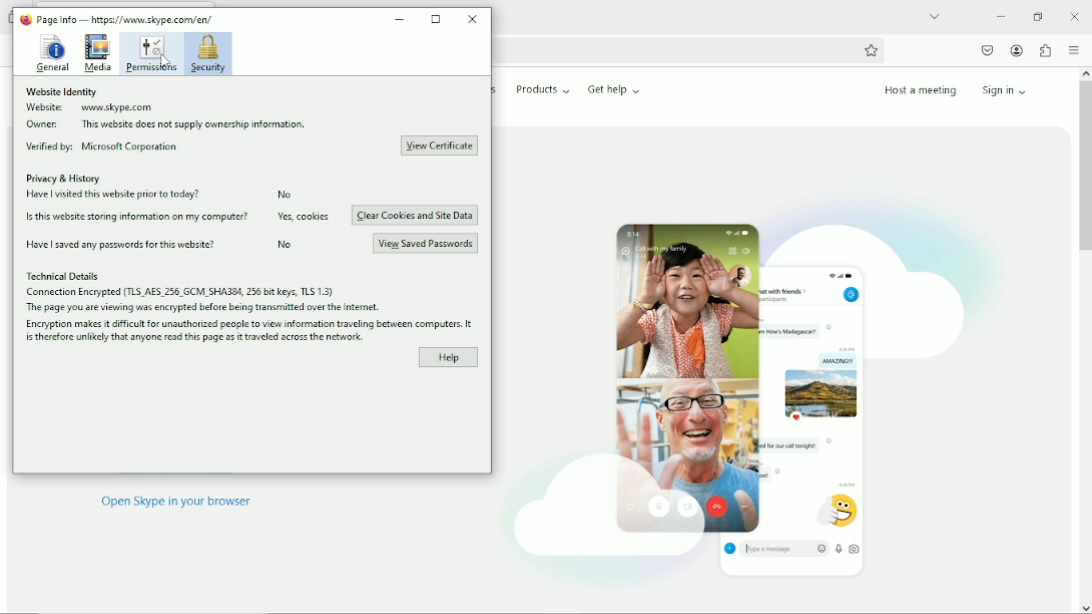 This screenshot has width=1092, height=614. What do you see at coordinates (934, 15) in the screenshot?
I see `List all tabs` at bounding box center [934, 15].